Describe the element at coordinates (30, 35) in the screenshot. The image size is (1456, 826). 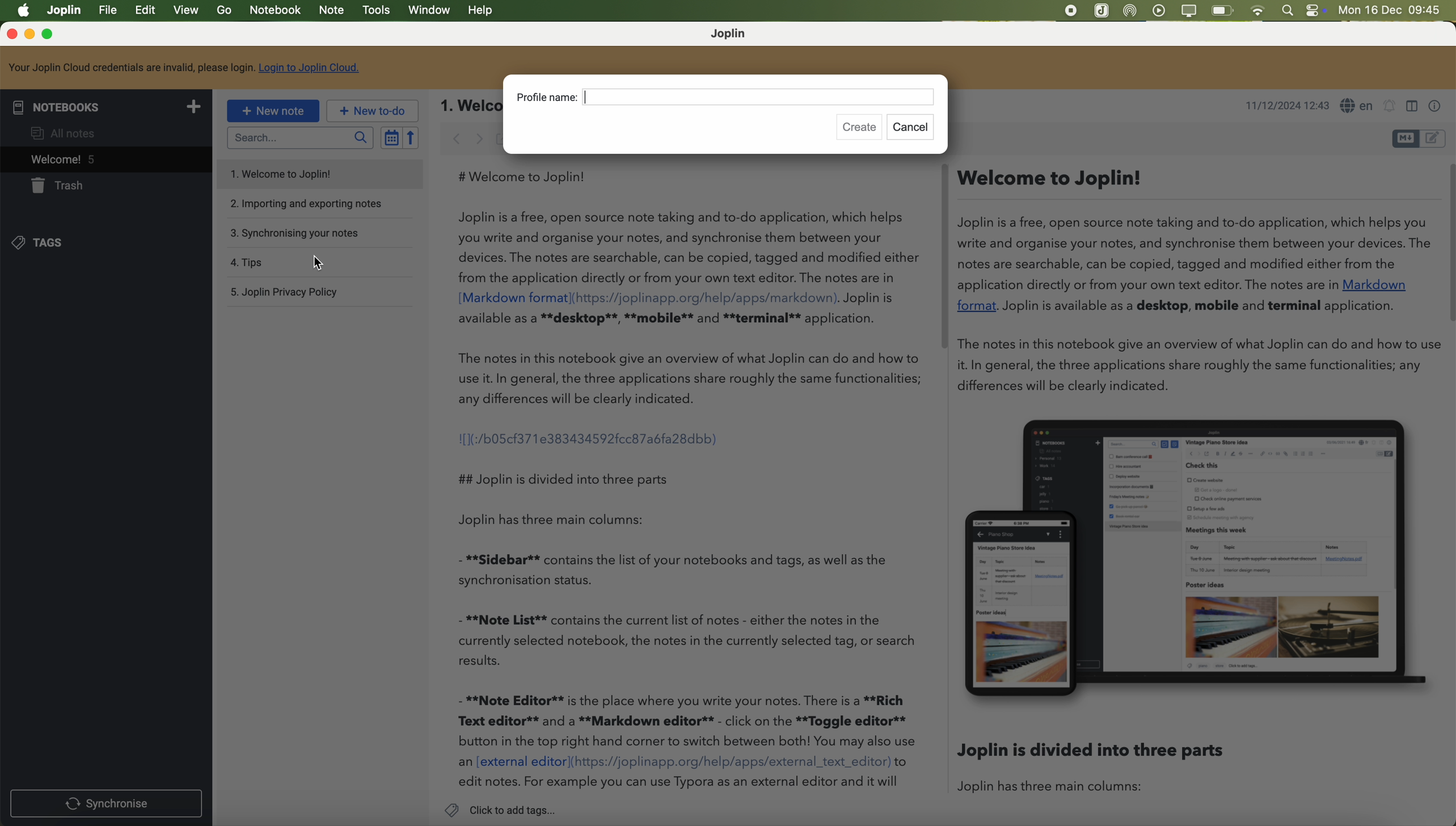
I see `minimize` at that location.